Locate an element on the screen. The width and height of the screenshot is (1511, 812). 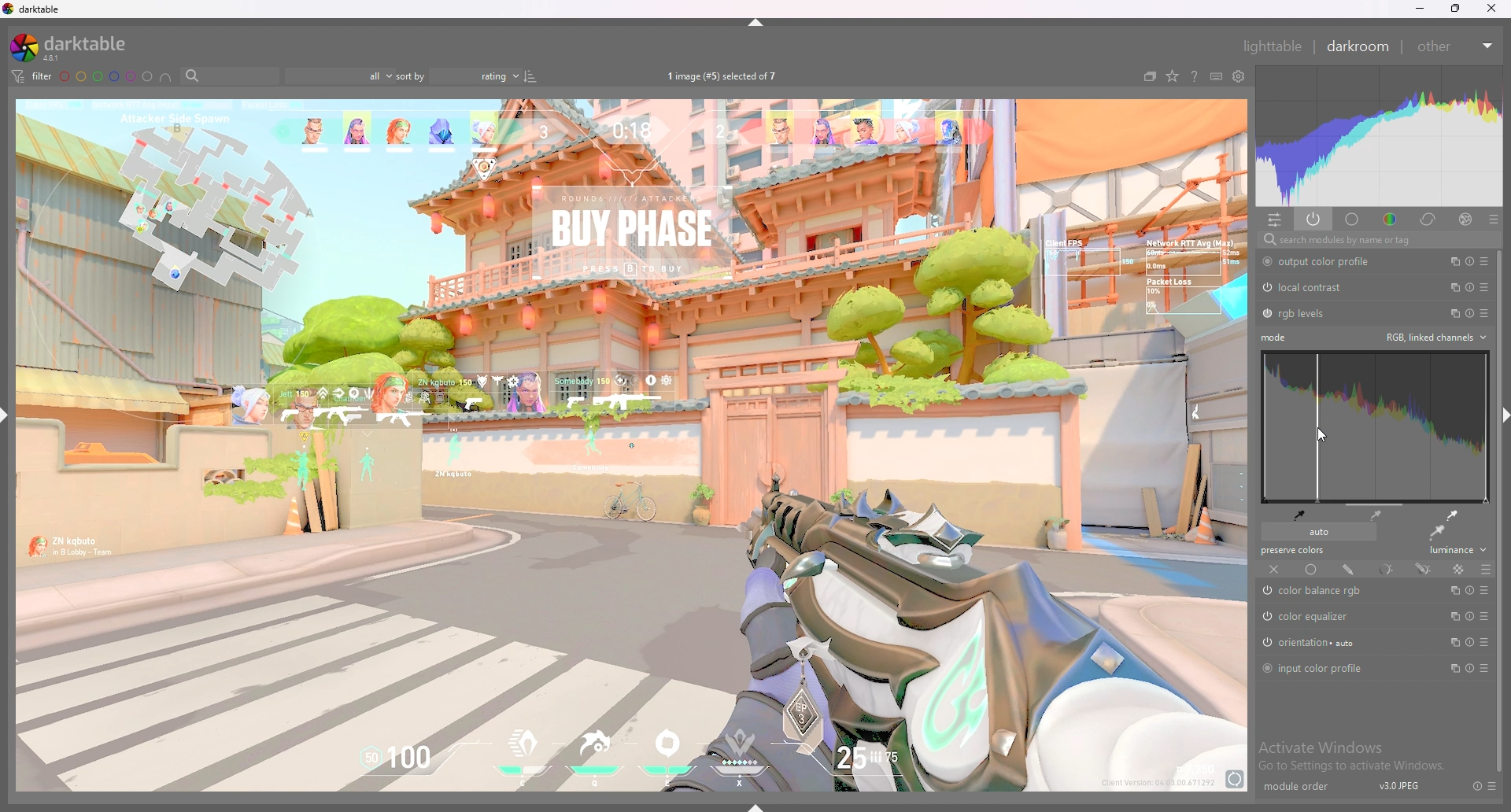
drawn mask is located at coordinates (1349, 569).